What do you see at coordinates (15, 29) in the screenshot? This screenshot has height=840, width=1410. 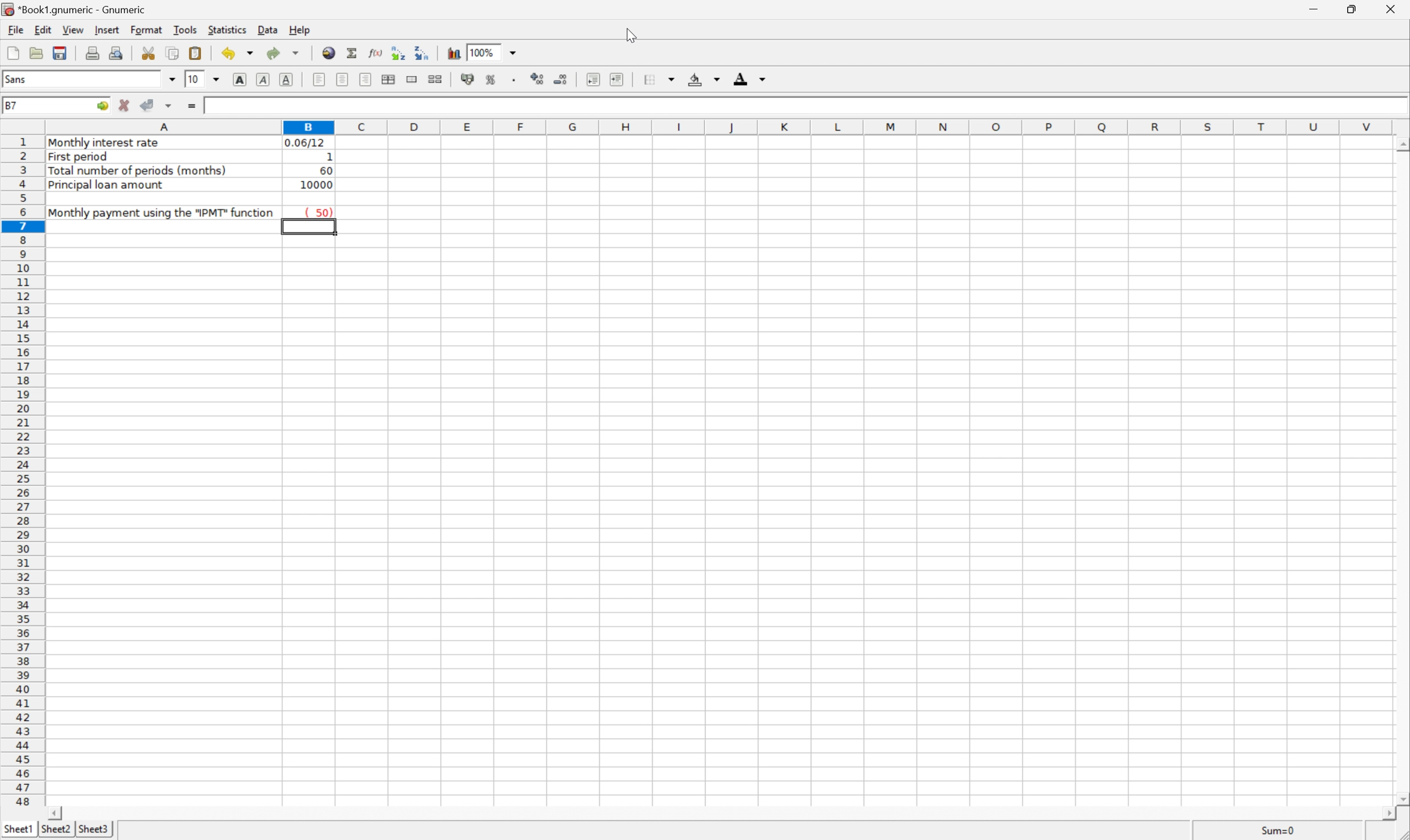 I see `File` at bounding box center [15, 29].